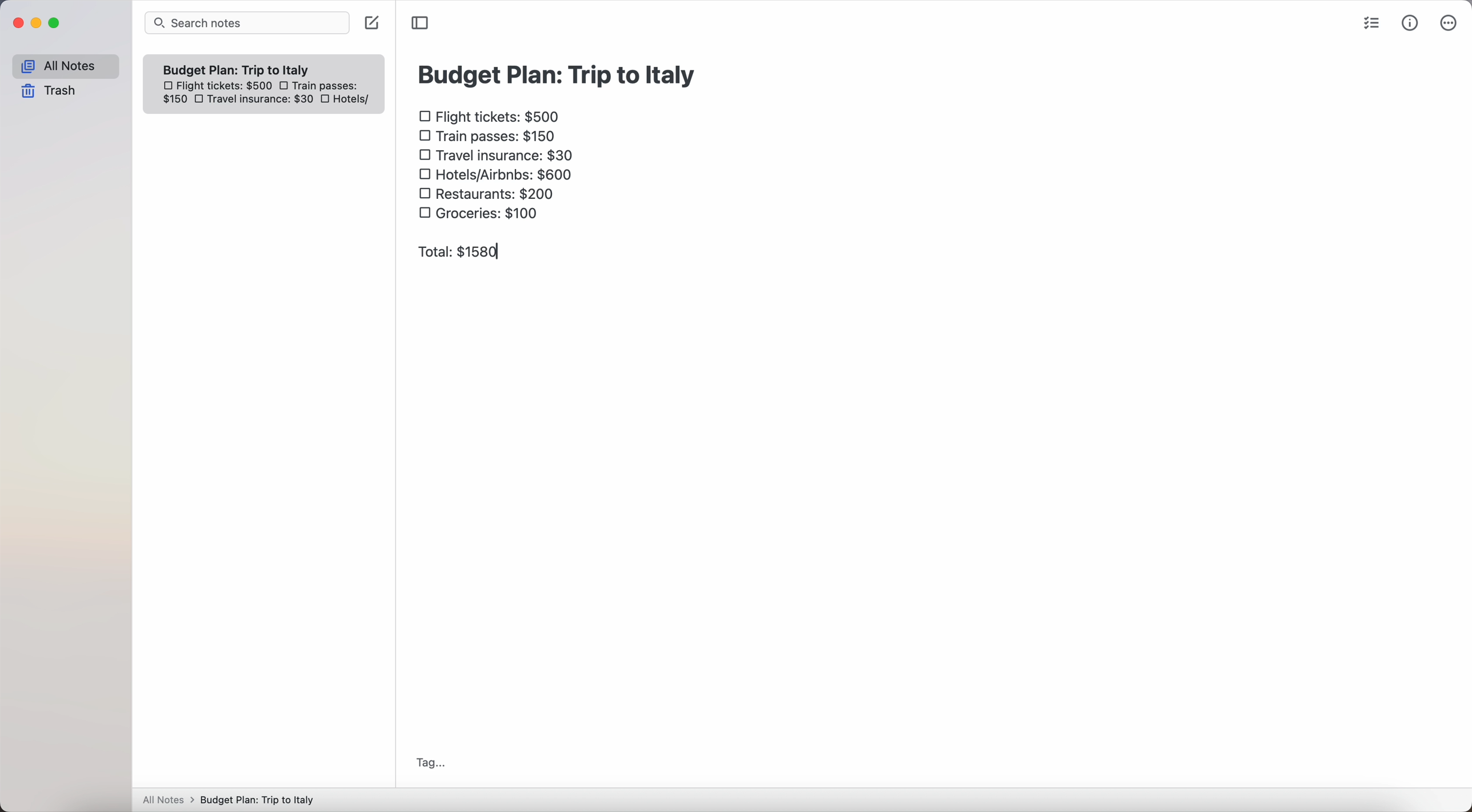  I want to click on hotels, so click(357, 100).